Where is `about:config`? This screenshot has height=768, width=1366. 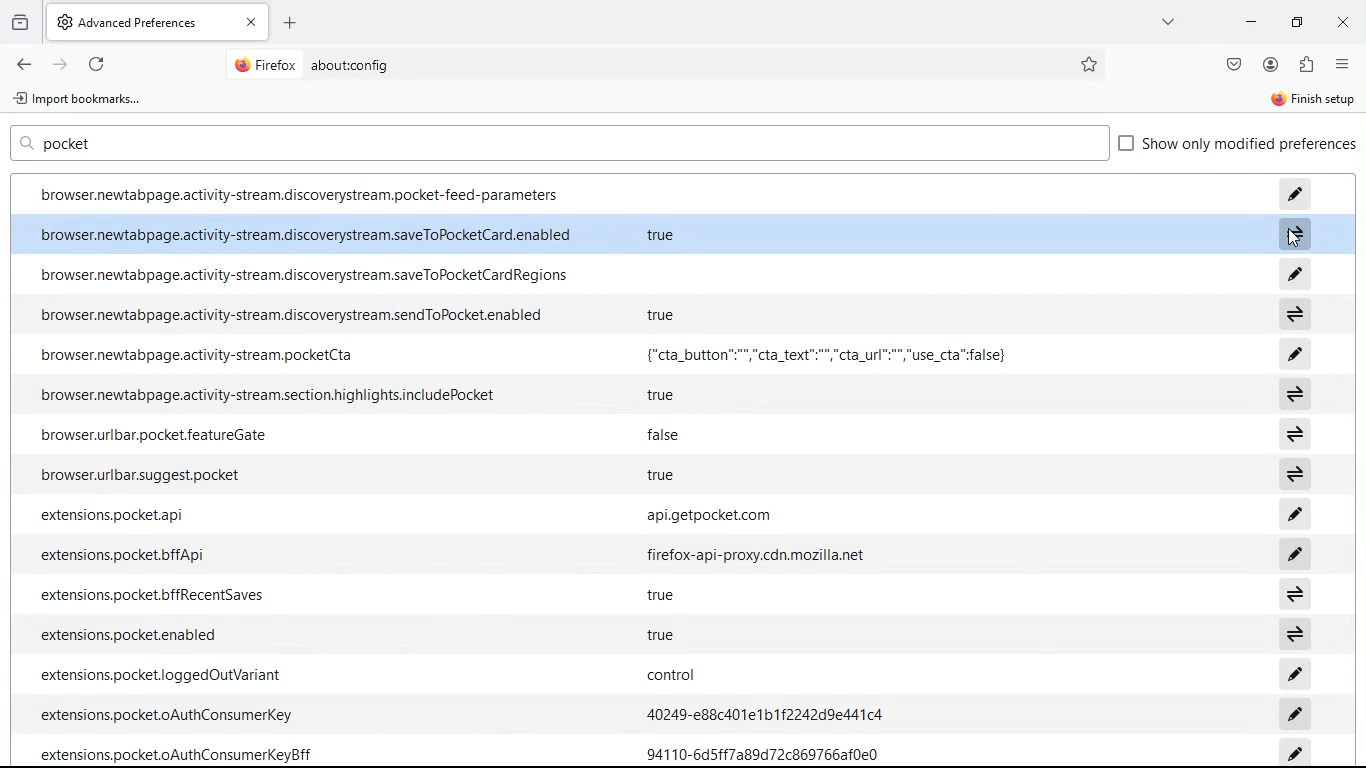 about:config is located at coordinates (348, 65).